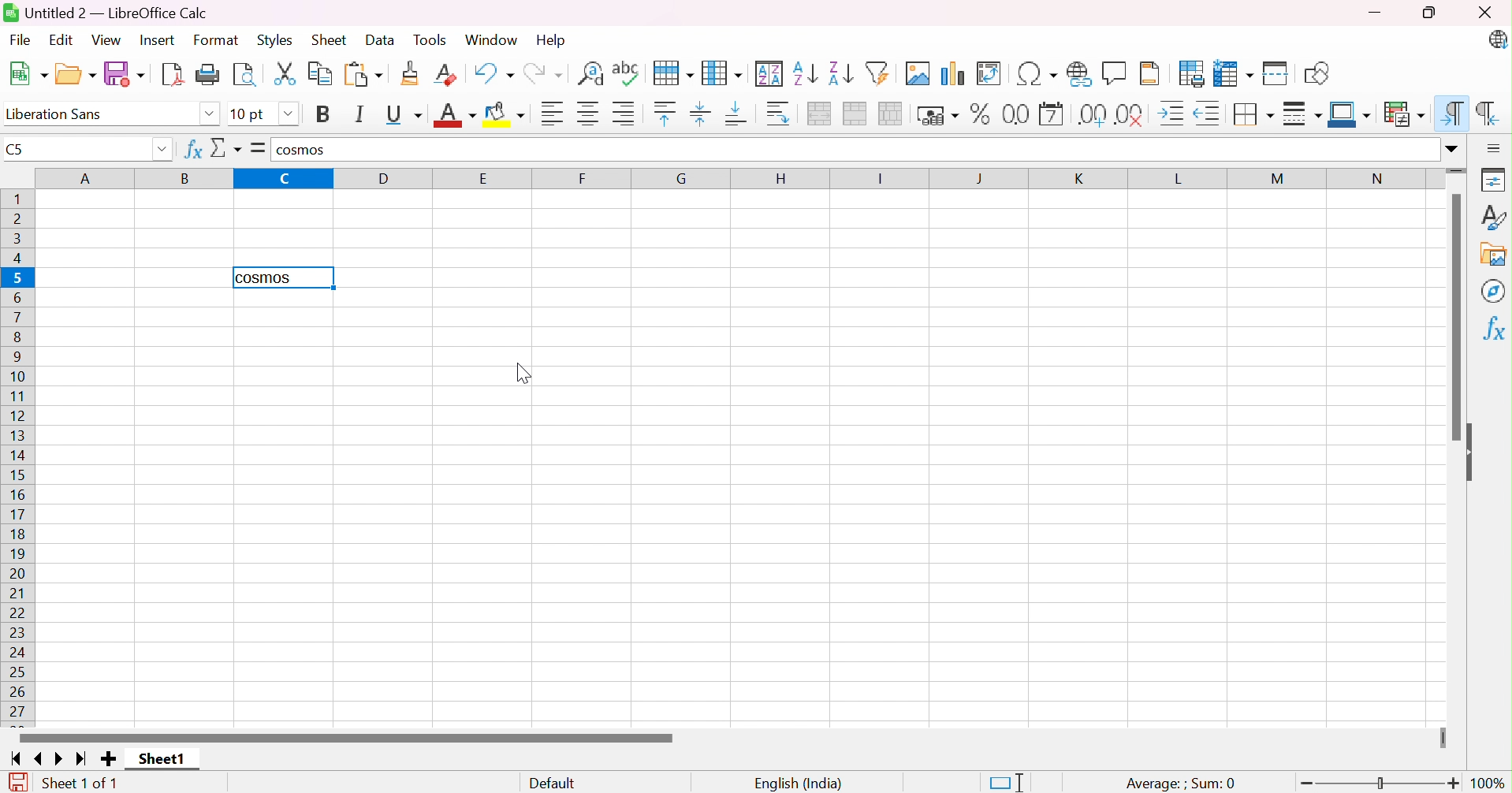  Describe the element at coordinates (161, 760) in the screenshot. I see `Sheet1` at that location.